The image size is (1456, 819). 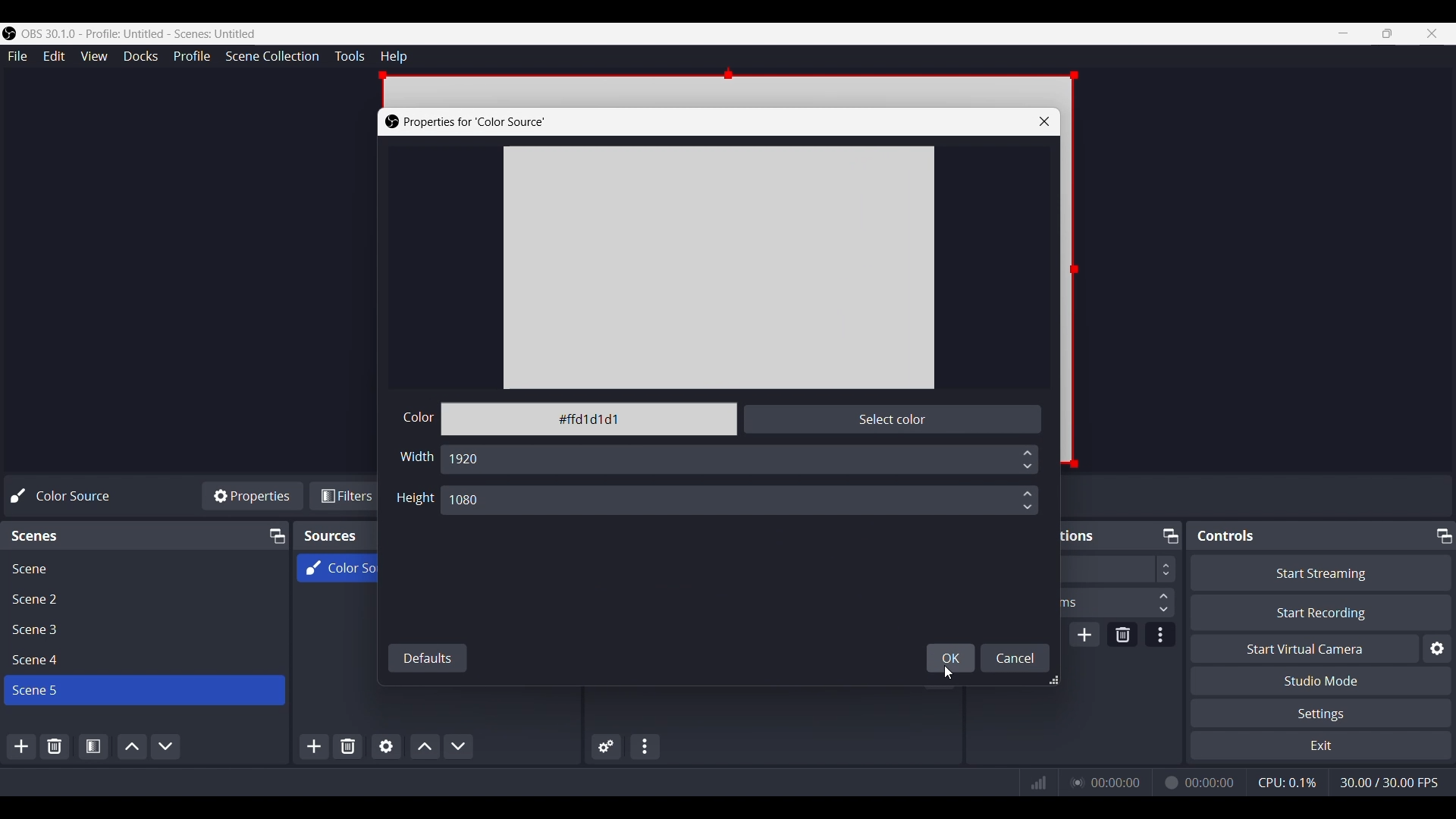 I want to click on Sources, so click(x=329, y=536).